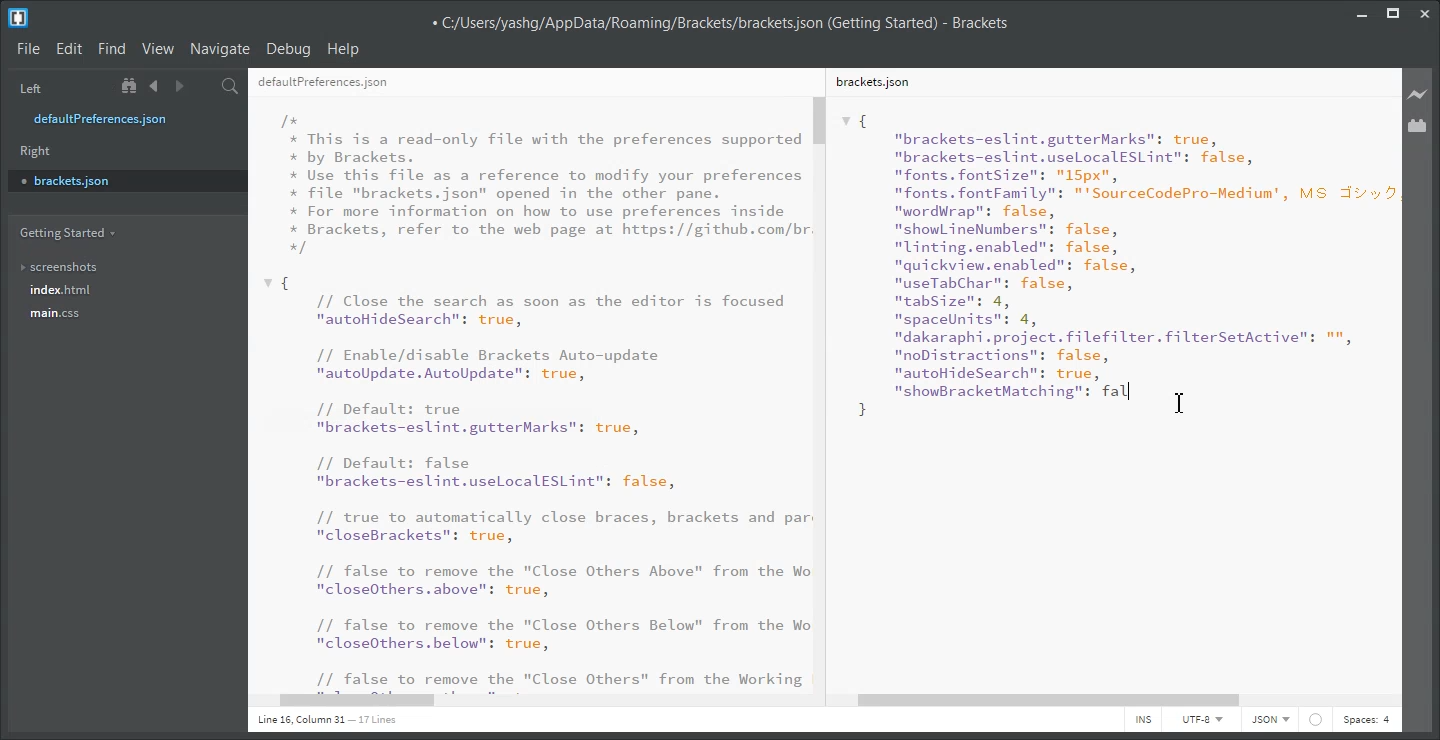  Describe the element at coordinates (1183, 402) in the screenshot. I see `cursor` at that location.